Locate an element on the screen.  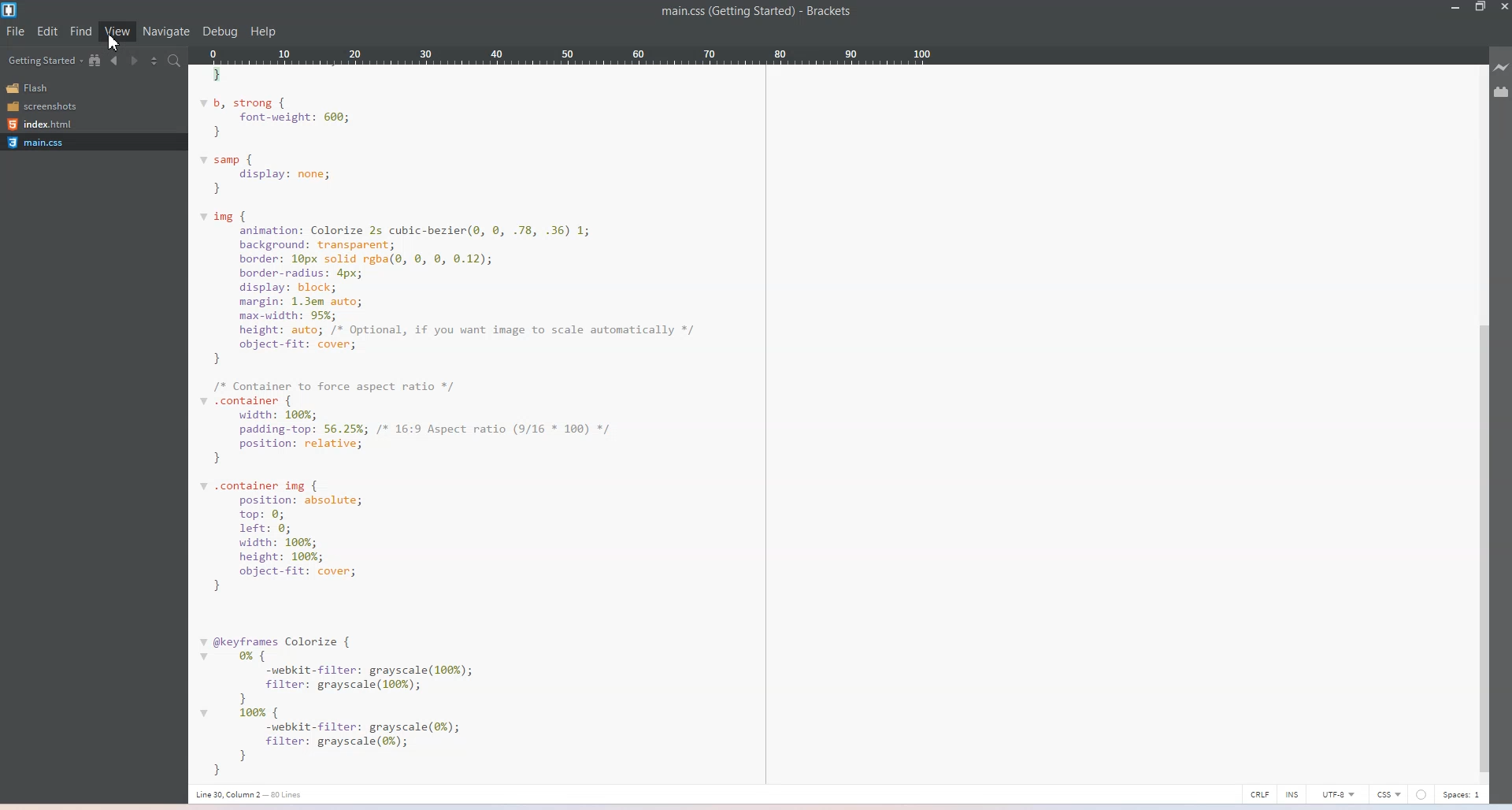
Help is located at coordinates (264, 32).